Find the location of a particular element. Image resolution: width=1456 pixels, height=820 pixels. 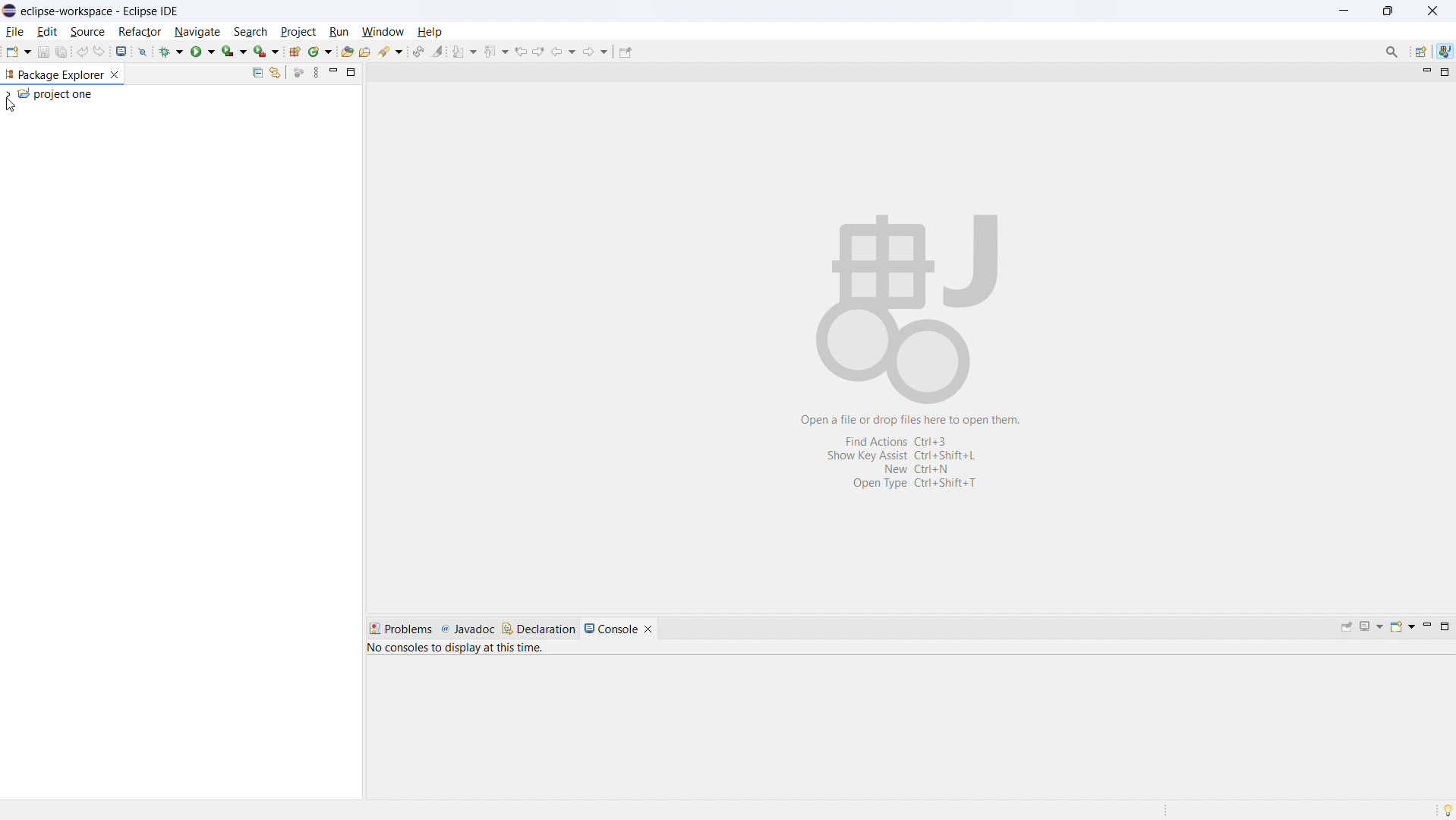

project is located at coordinates (298, 30).